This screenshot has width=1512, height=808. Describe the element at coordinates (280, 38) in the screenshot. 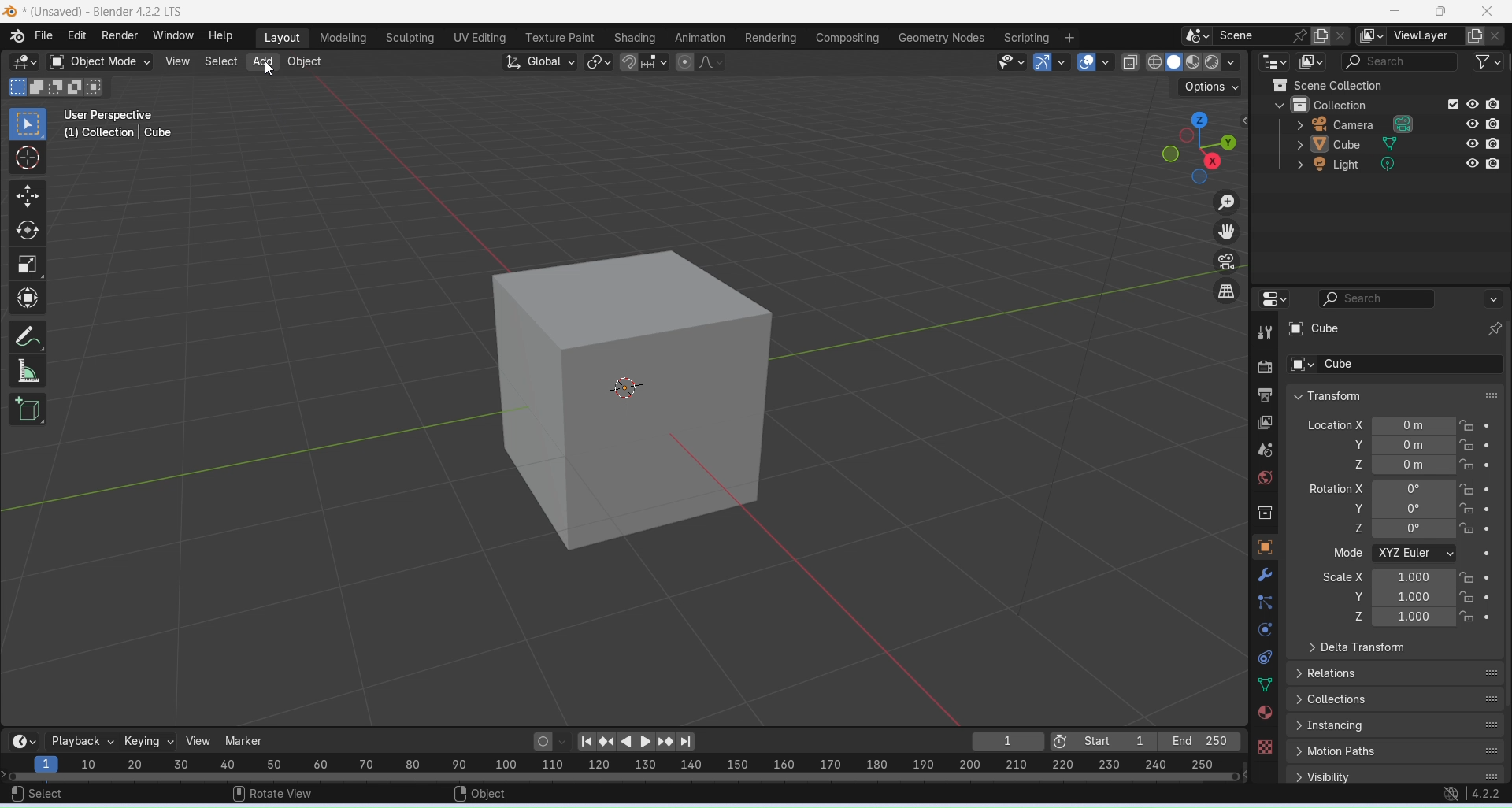

I see `Layout` at that location.